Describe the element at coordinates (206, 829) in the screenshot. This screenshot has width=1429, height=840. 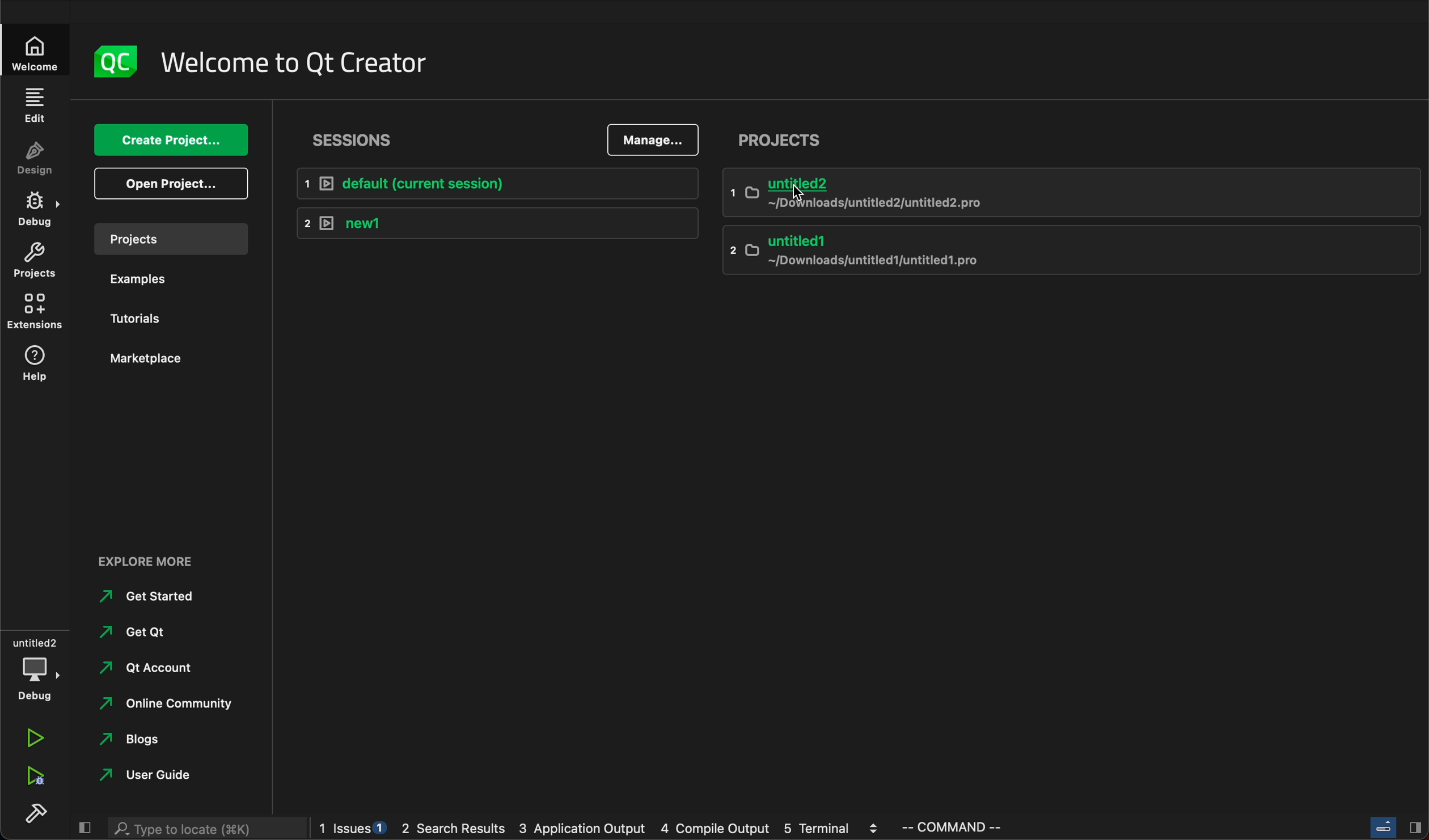
I see `search` at that location.